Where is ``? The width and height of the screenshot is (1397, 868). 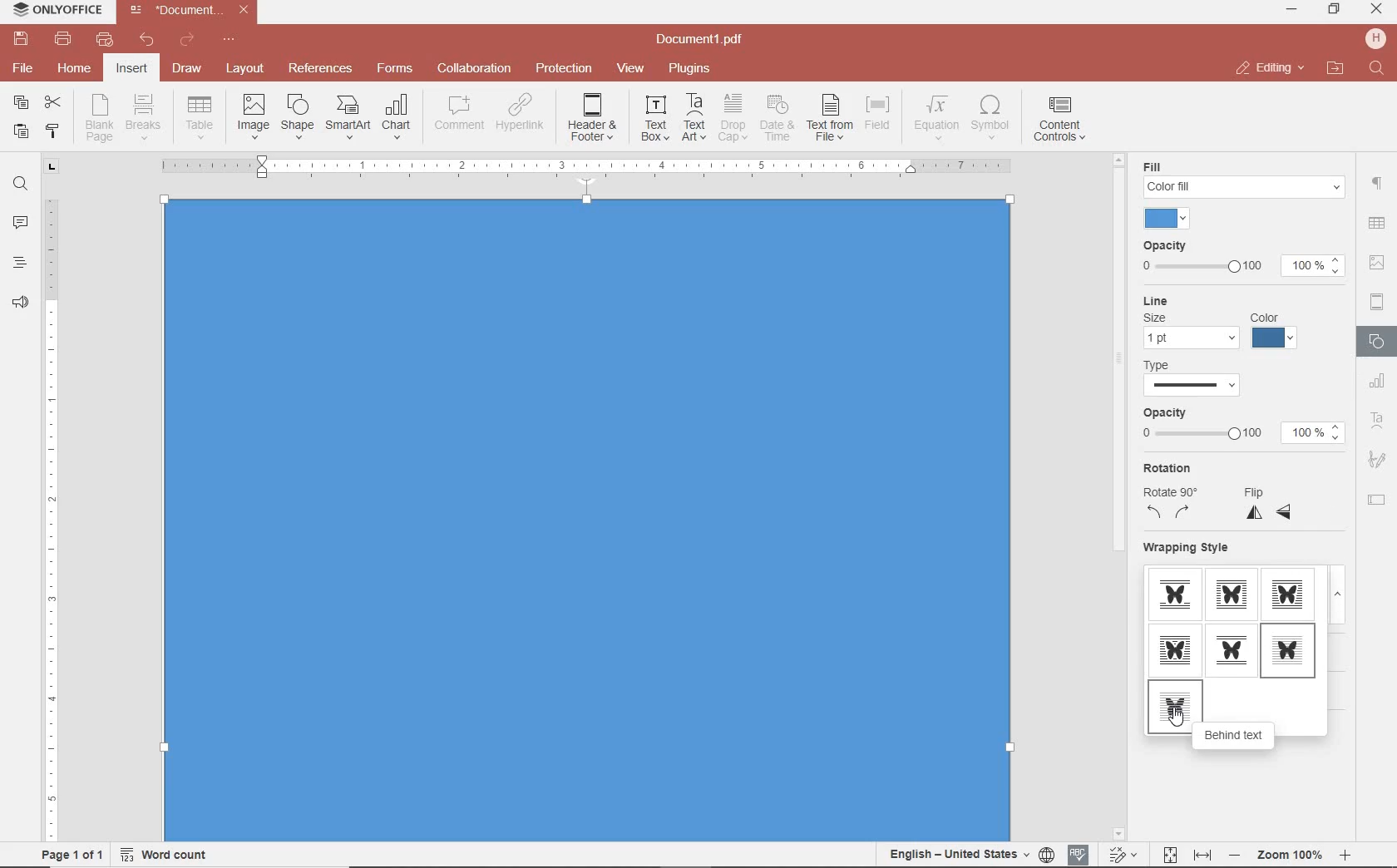
 is located at coordinates (588, 518).